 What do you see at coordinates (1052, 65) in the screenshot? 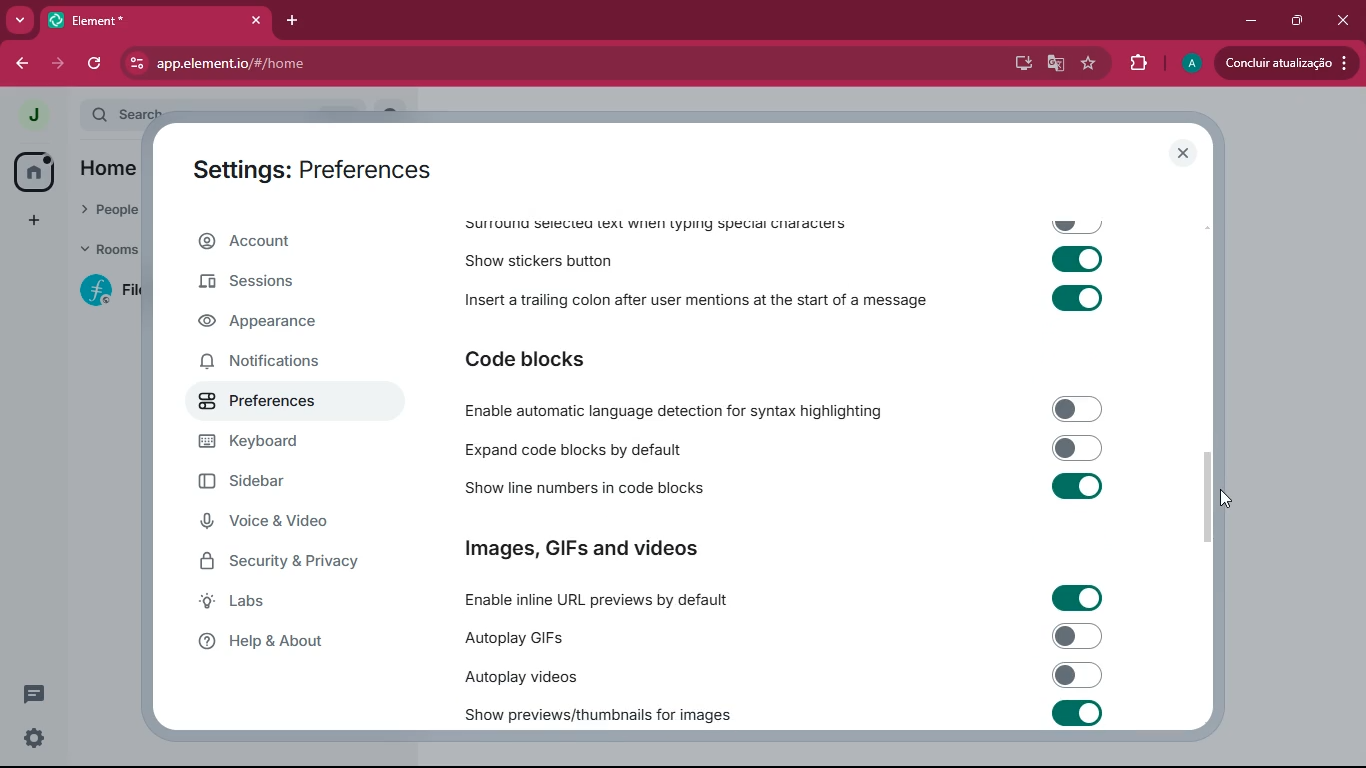
I see `google translate ` at bounding box center [1052, 65].